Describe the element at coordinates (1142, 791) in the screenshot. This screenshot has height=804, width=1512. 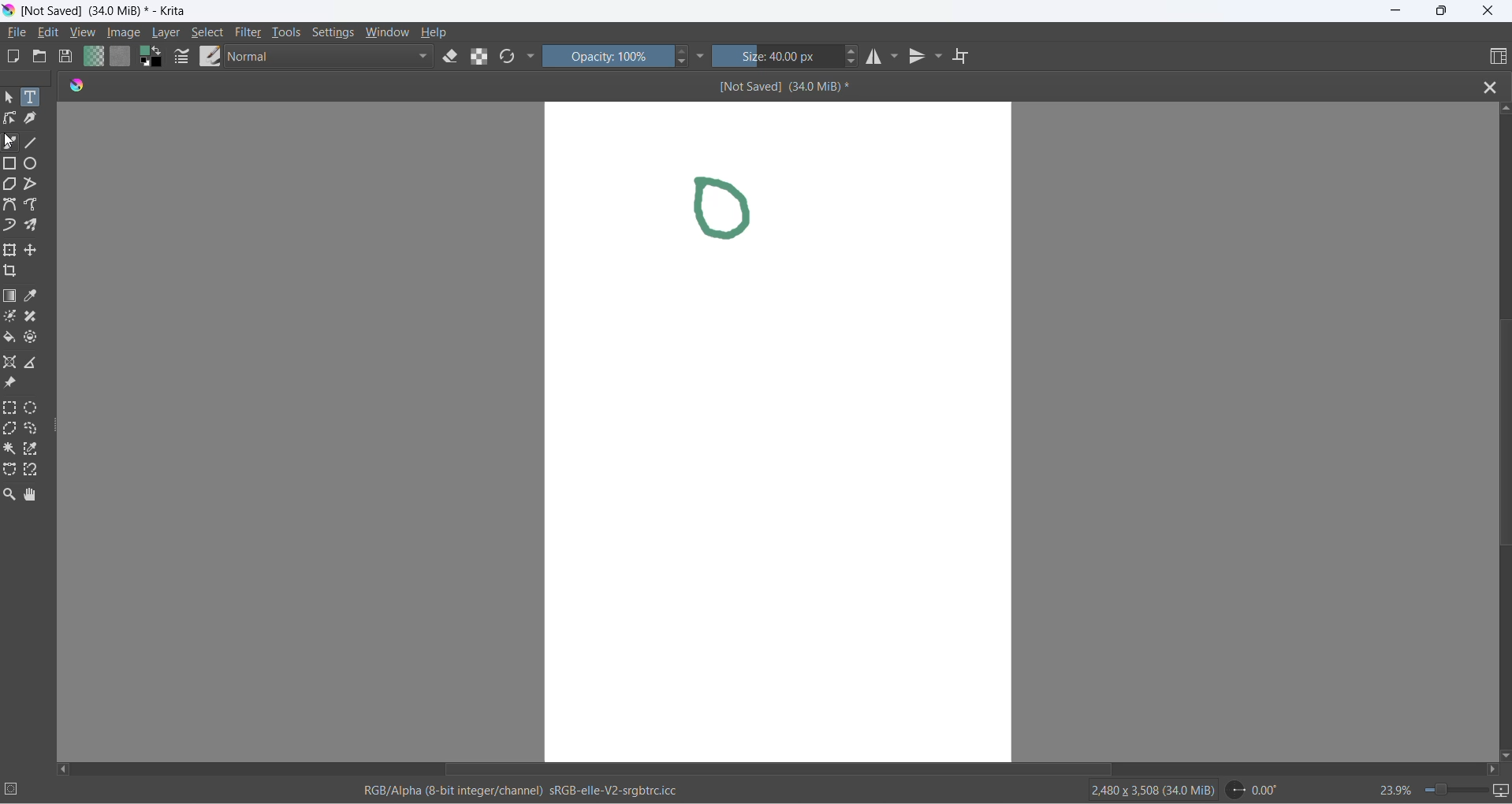
I see `2480 x 3508 (34.0 MiB)` at that location.